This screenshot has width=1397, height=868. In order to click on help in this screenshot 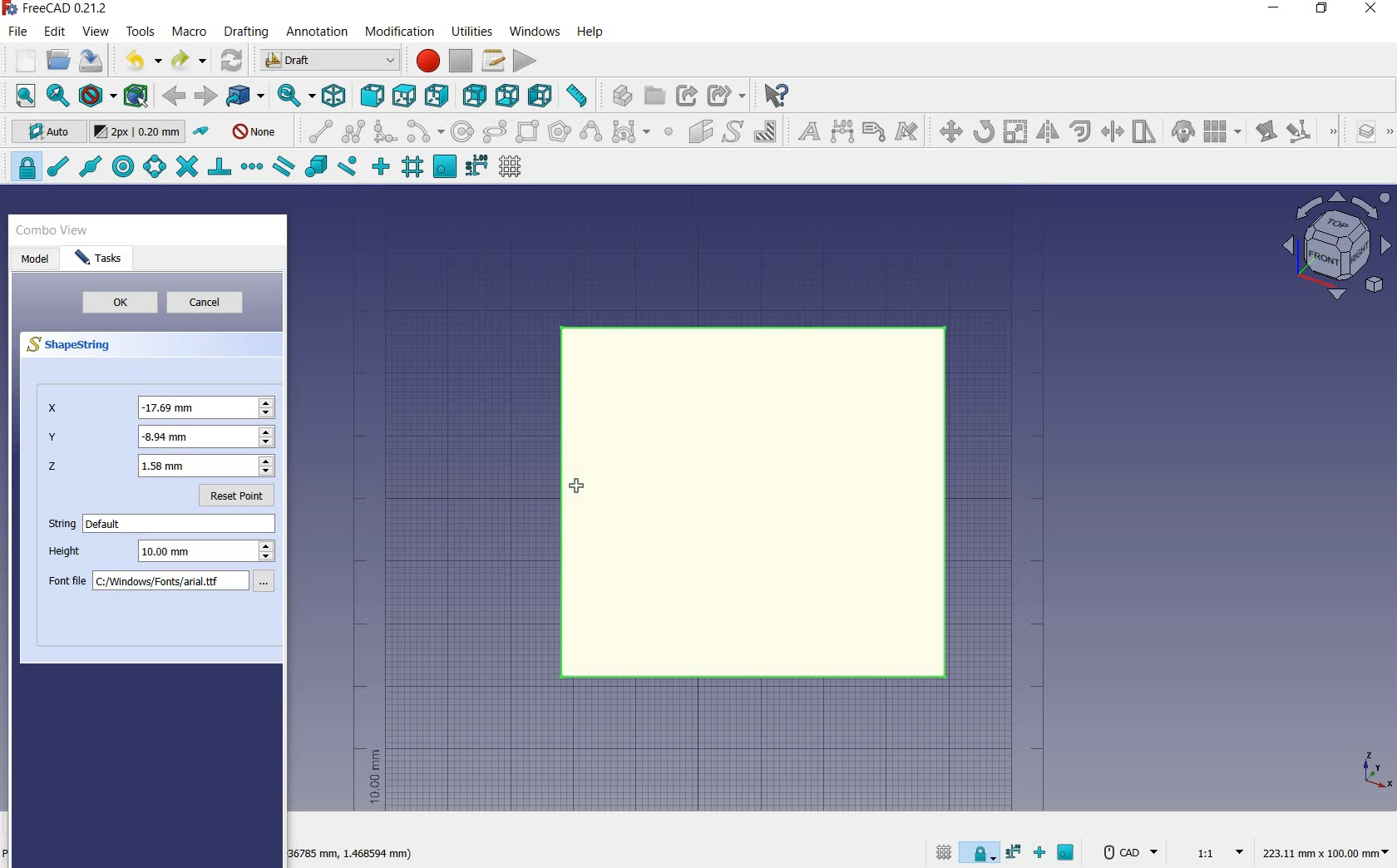, I will do `click(590, 32)`.